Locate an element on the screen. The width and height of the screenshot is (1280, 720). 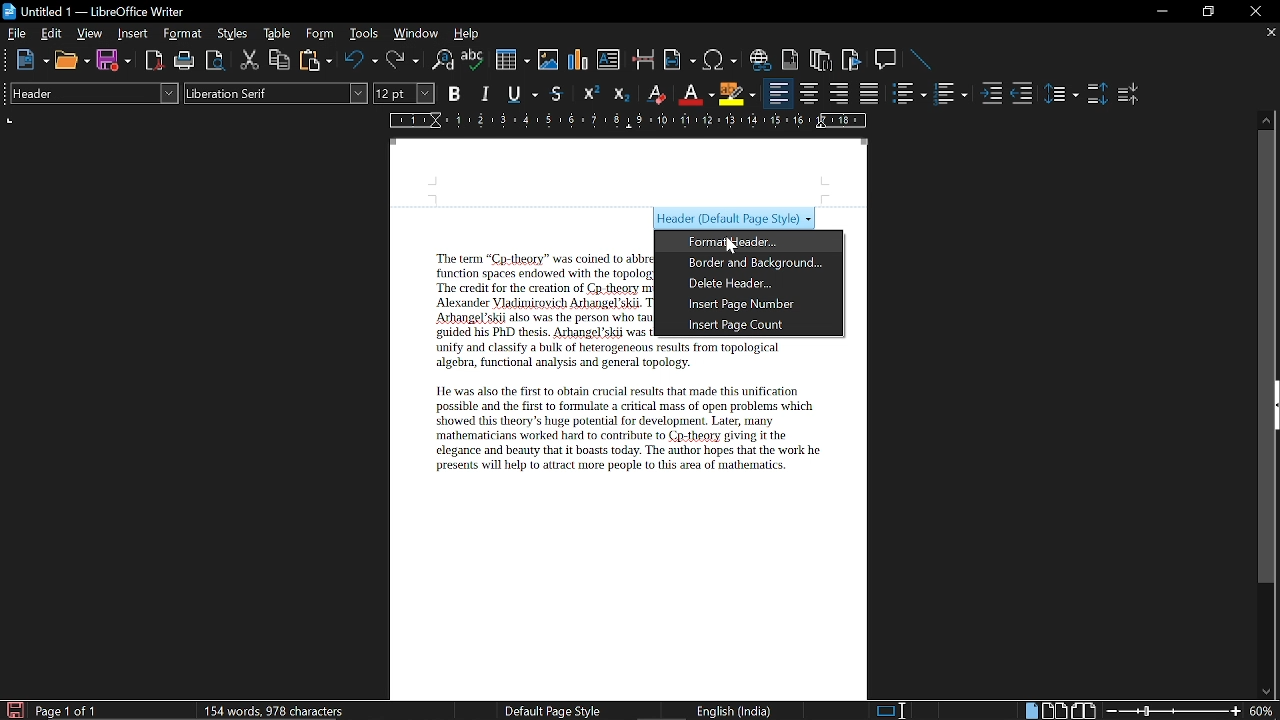
Insert endnote is located at coordinates (790, 60).